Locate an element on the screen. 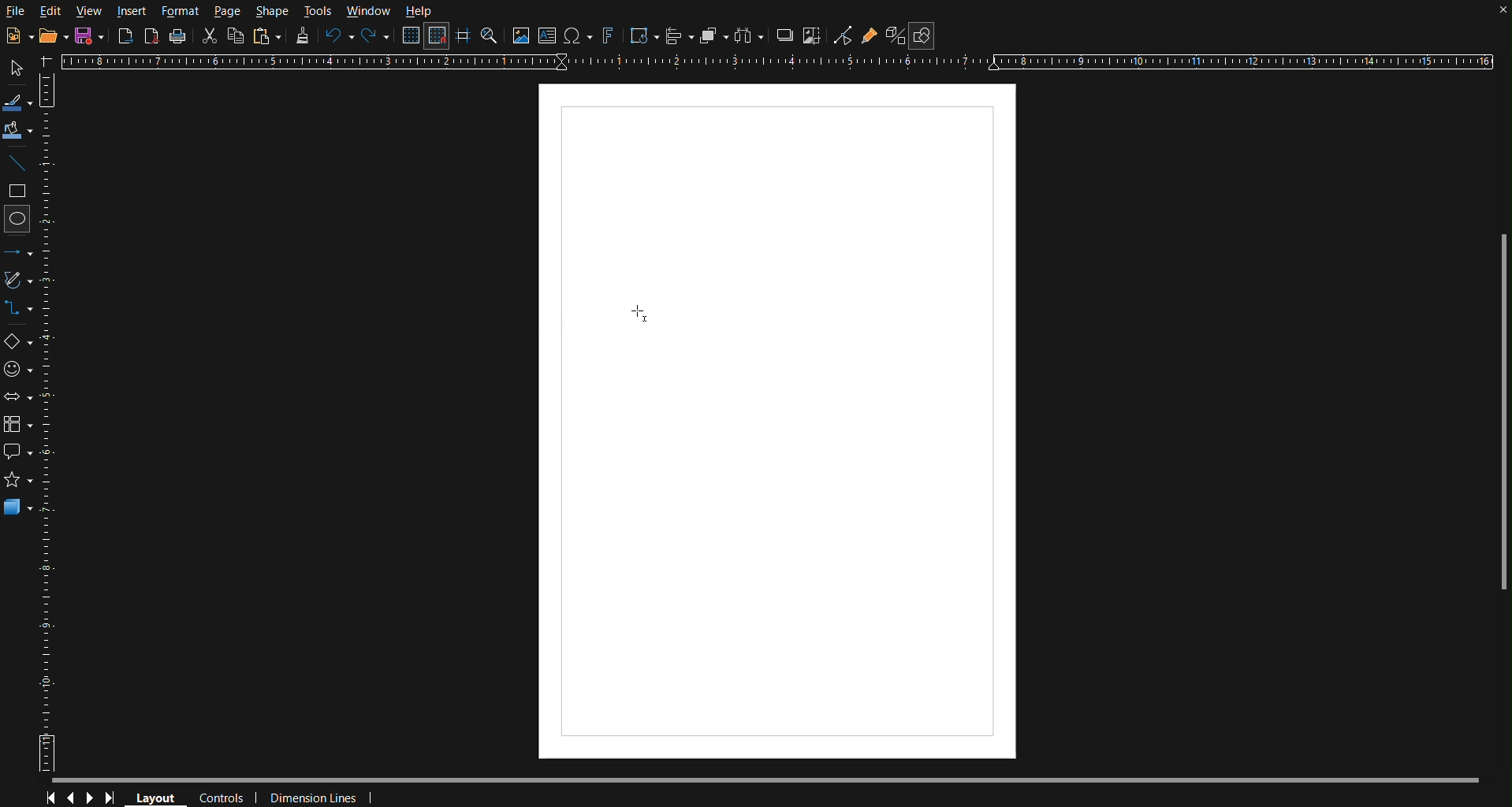 Image resolution: width=1512 pixels, height=807 pixels. Export as PDF is located at coordinates (153, 37).